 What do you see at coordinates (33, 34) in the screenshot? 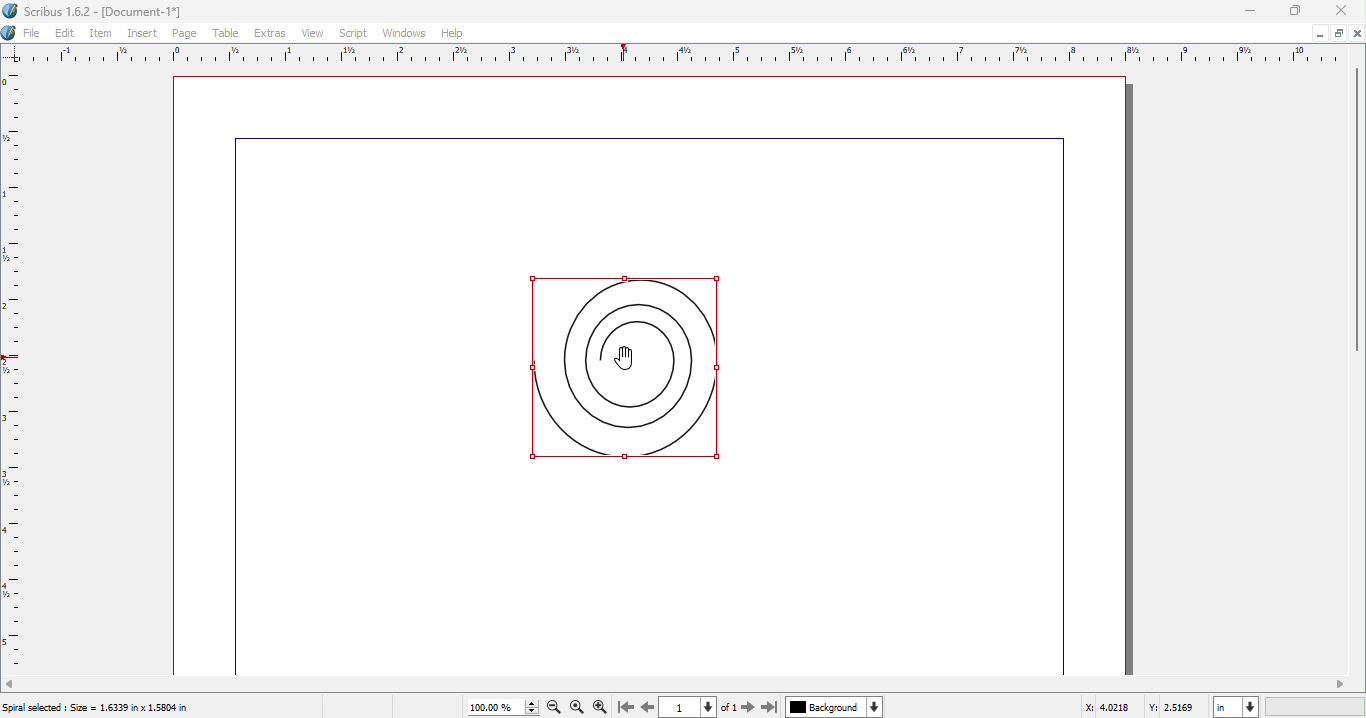
I see `File` at bounding box center [33, 34].